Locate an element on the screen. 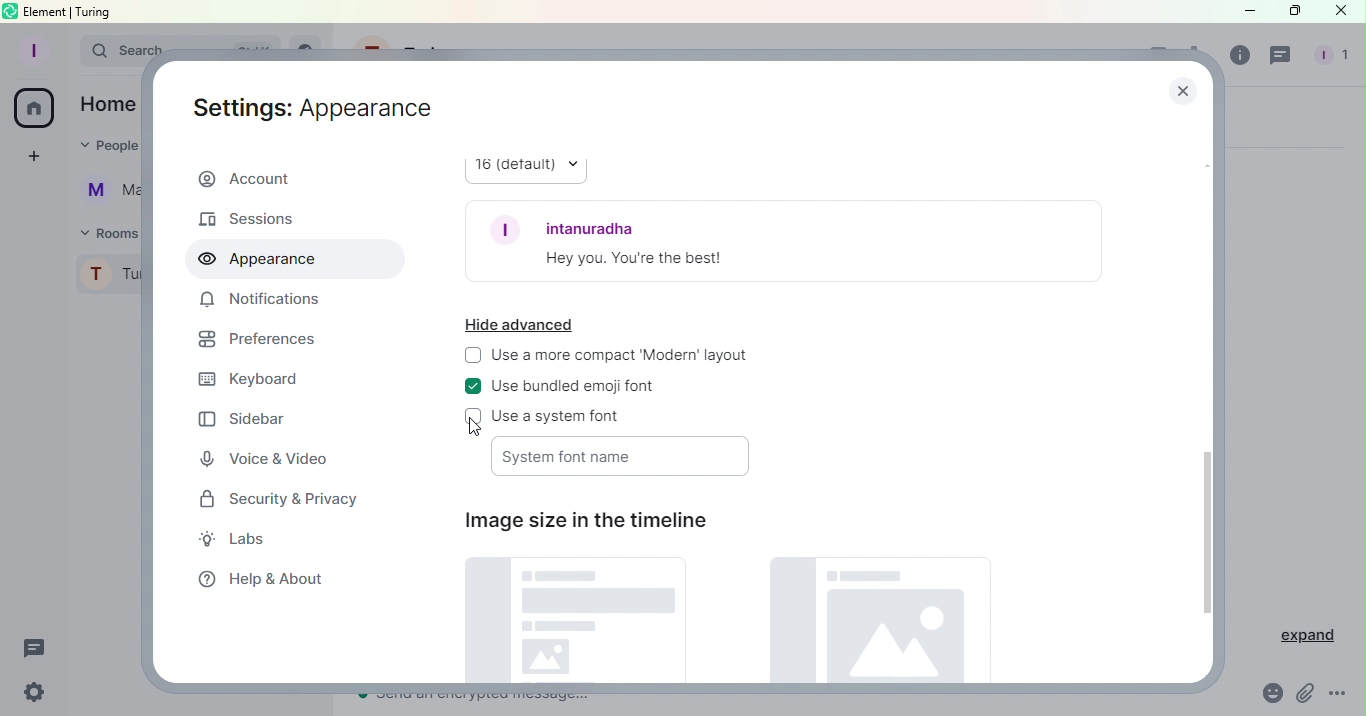 The width and height of the screenshot is (1366, 716). element is located at coordinates (46, 11).